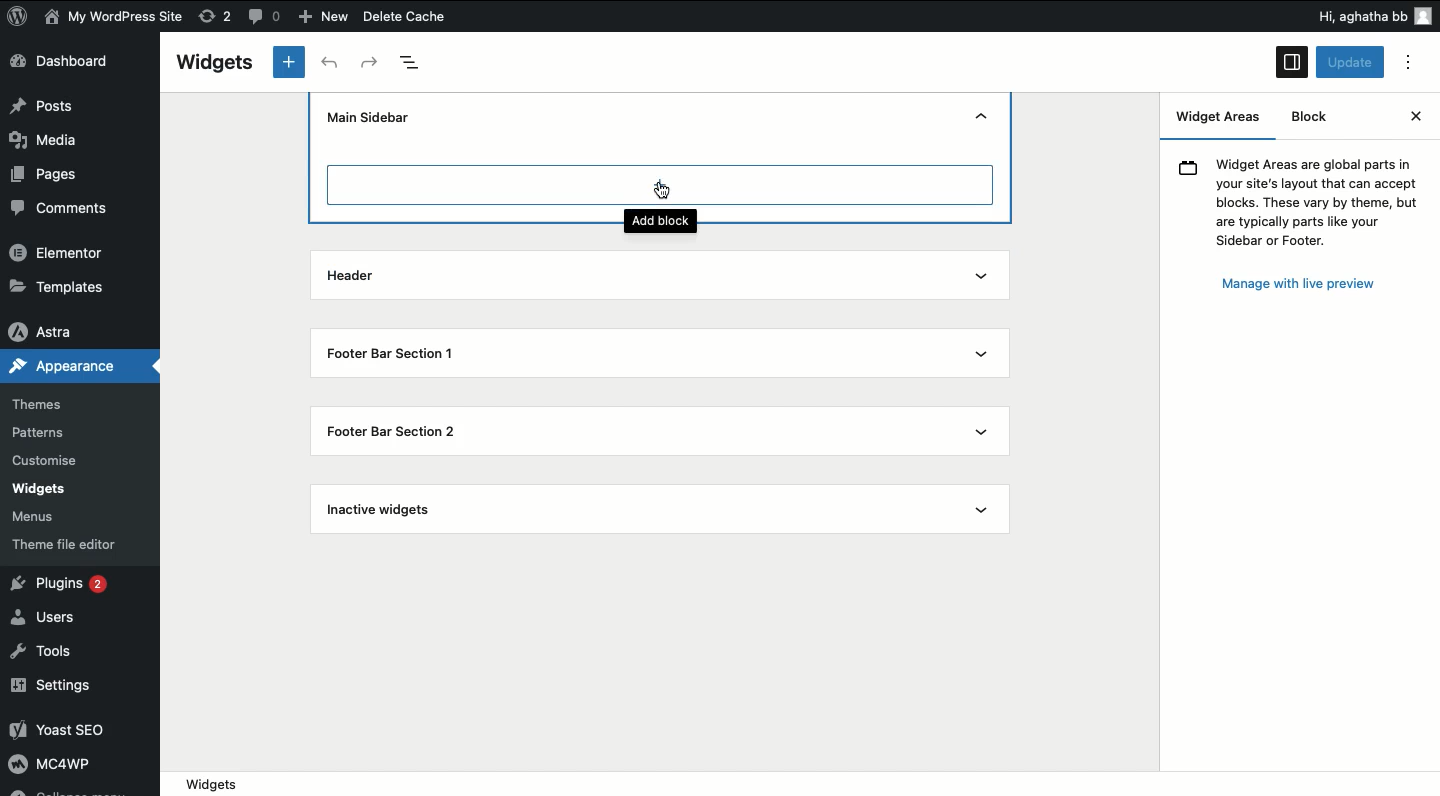 Image resolution: width=1440 pixels, height=796 pixels. I want to click on cursor, so click(663, 189).